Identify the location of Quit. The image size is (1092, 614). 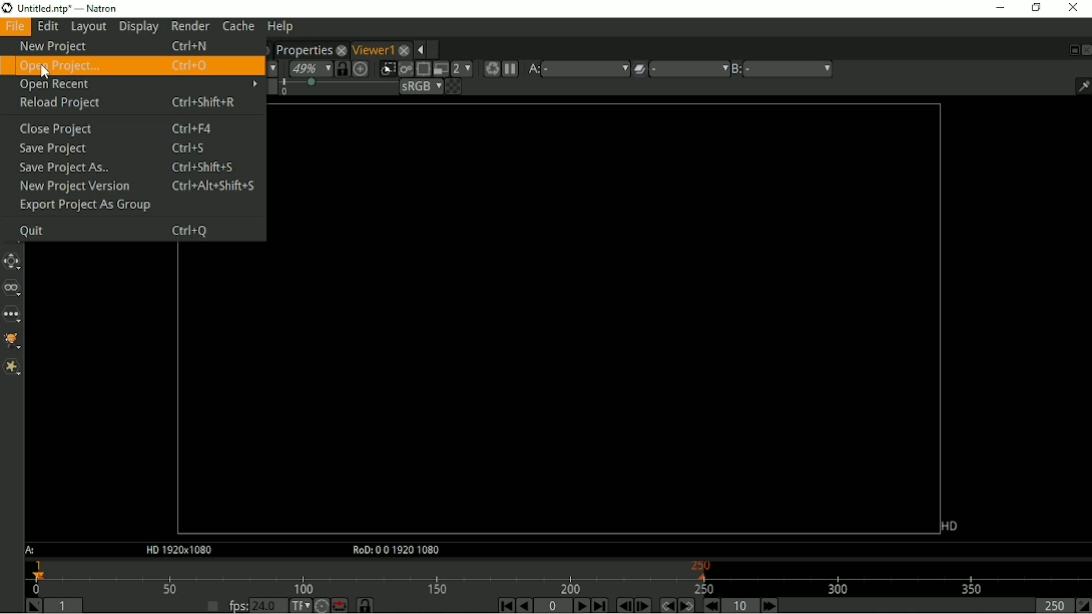
(112, 230).